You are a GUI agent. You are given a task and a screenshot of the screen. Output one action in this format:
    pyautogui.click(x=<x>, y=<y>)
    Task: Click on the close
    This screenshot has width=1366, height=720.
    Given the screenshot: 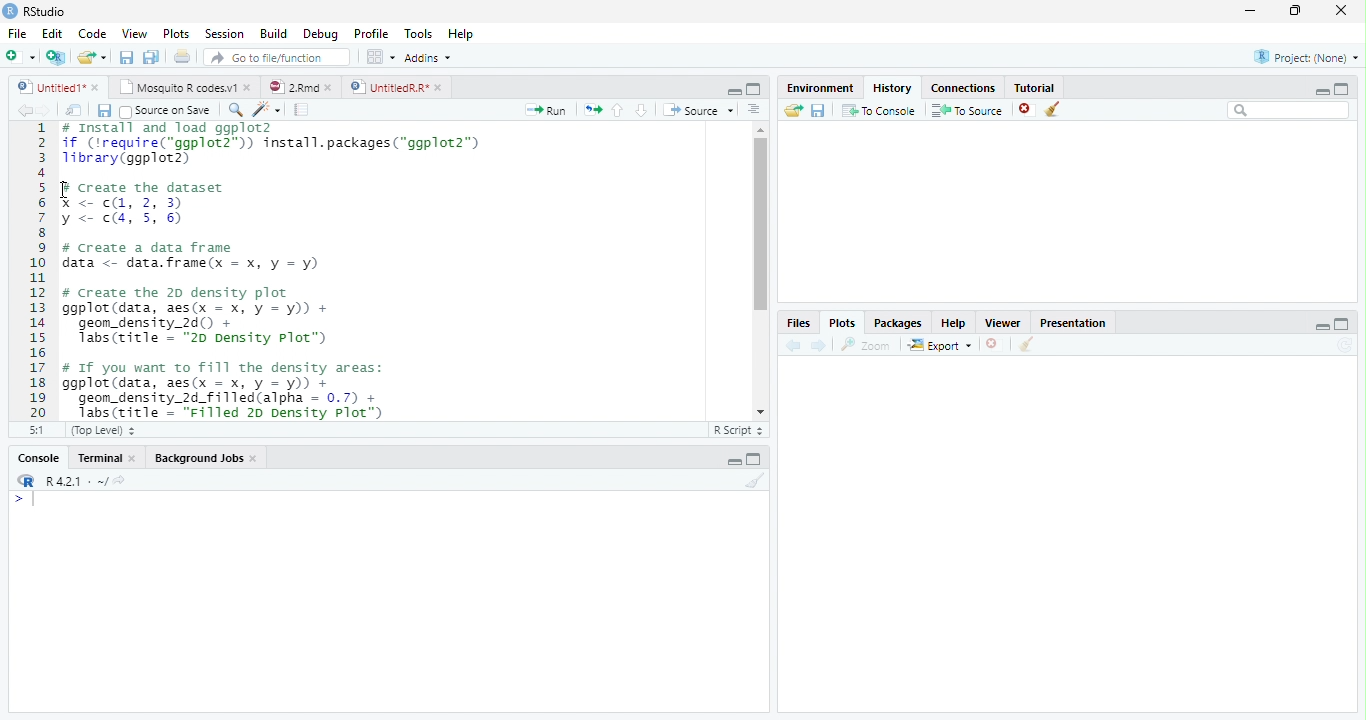 What is the action you would take?
    pyautogui.click(x=97, y=87)
    